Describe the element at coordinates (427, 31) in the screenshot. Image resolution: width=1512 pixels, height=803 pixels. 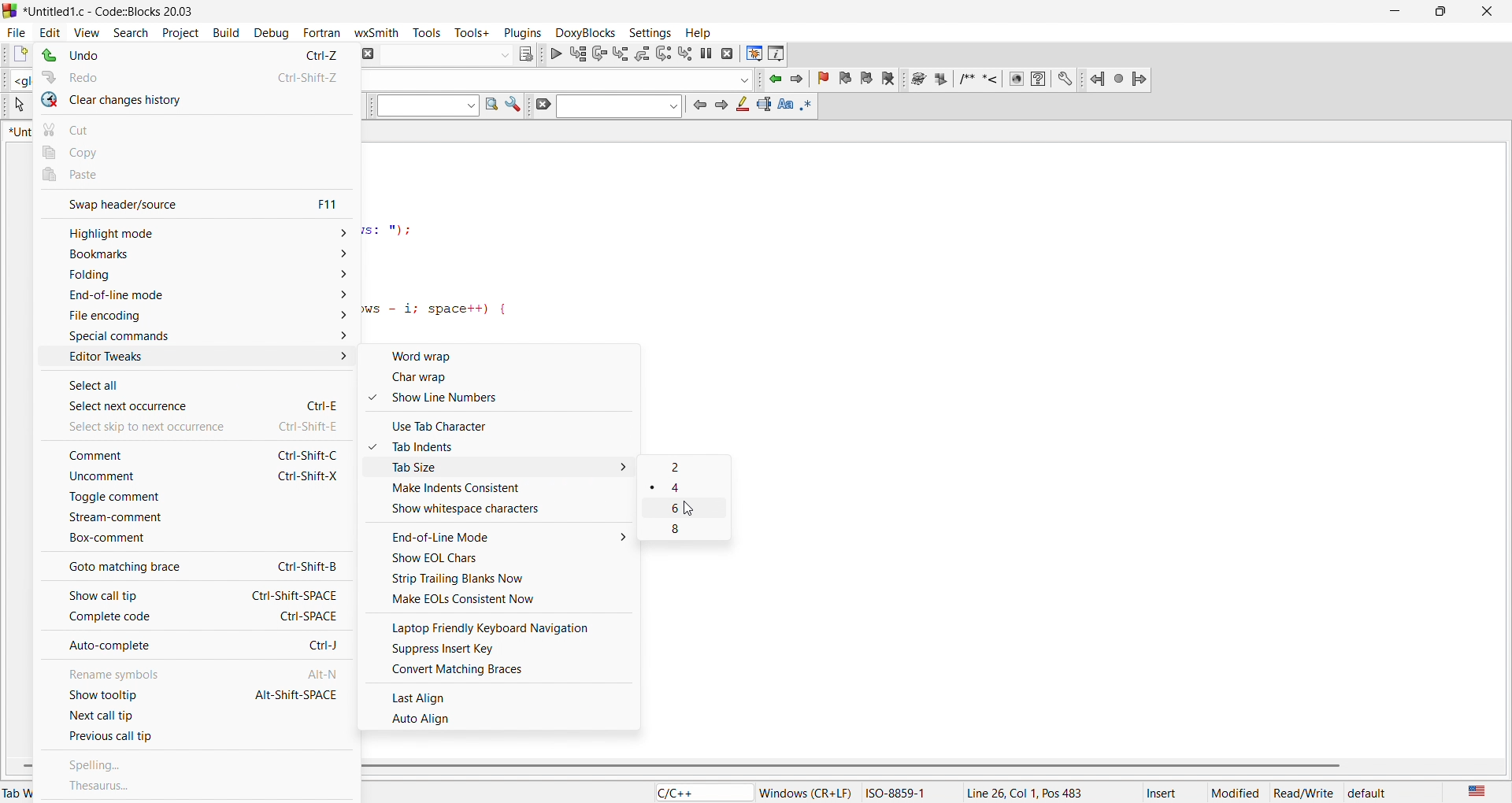
I see `tools` at that location.